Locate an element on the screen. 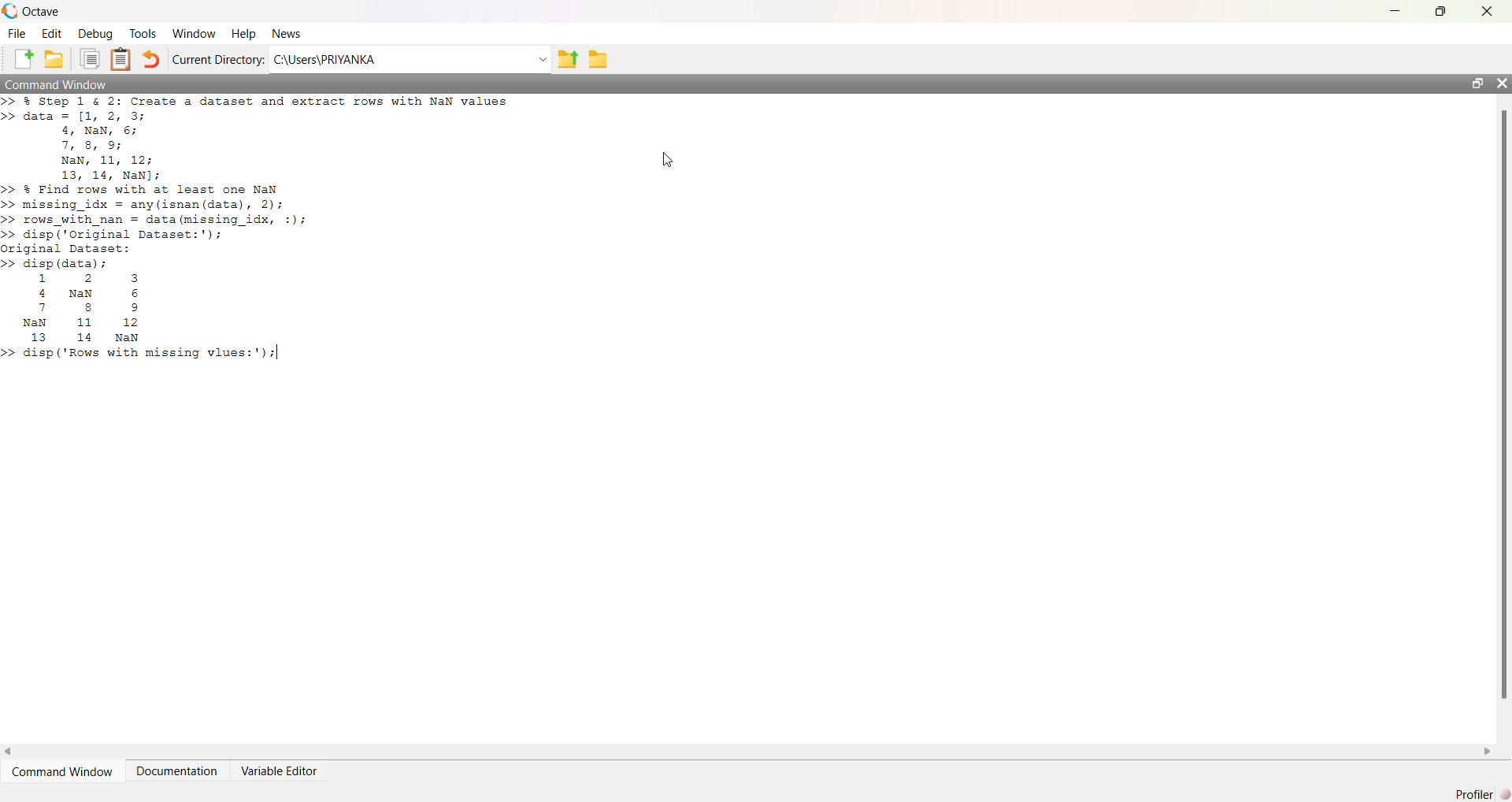  New File is located at coordinates (24, 59).